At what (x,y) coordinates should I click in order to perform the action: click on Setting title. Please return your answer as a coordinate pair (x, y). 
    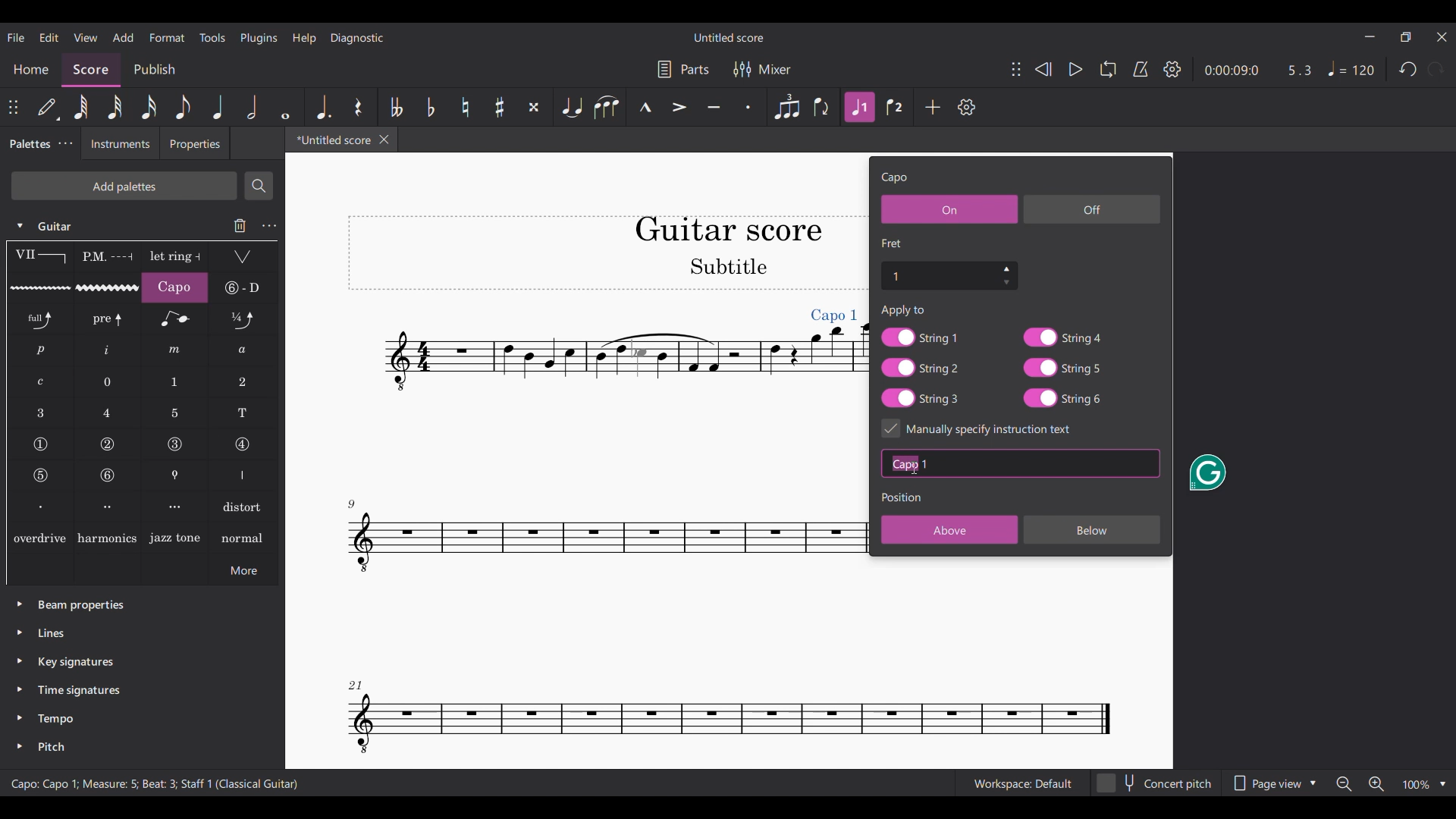
    Looking at the image, I should click on (895, 178).